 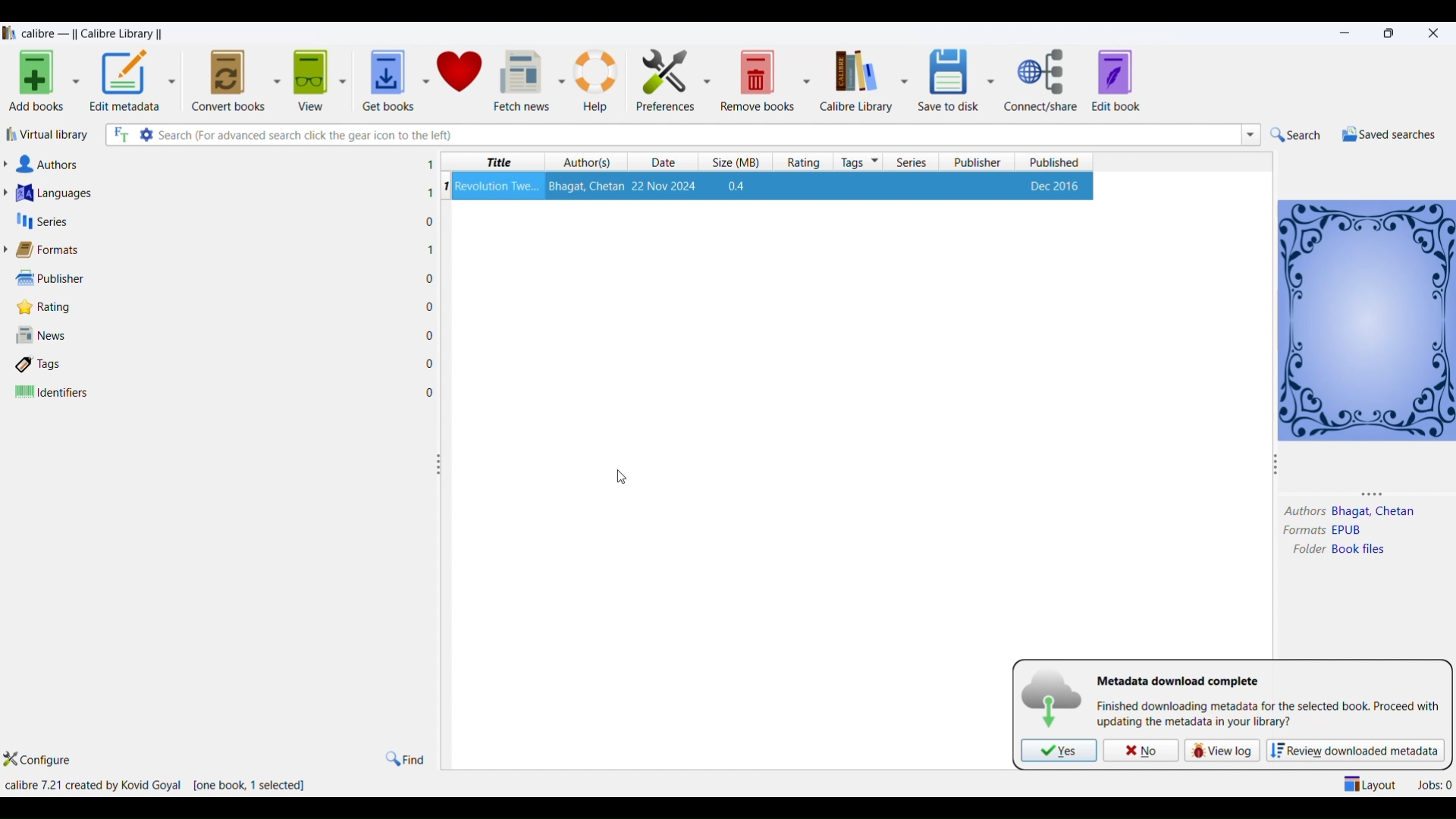 What do you see at coordinates (1305, 551) in the screenshot?
I see `folder` at bounding box center [1305, 551].